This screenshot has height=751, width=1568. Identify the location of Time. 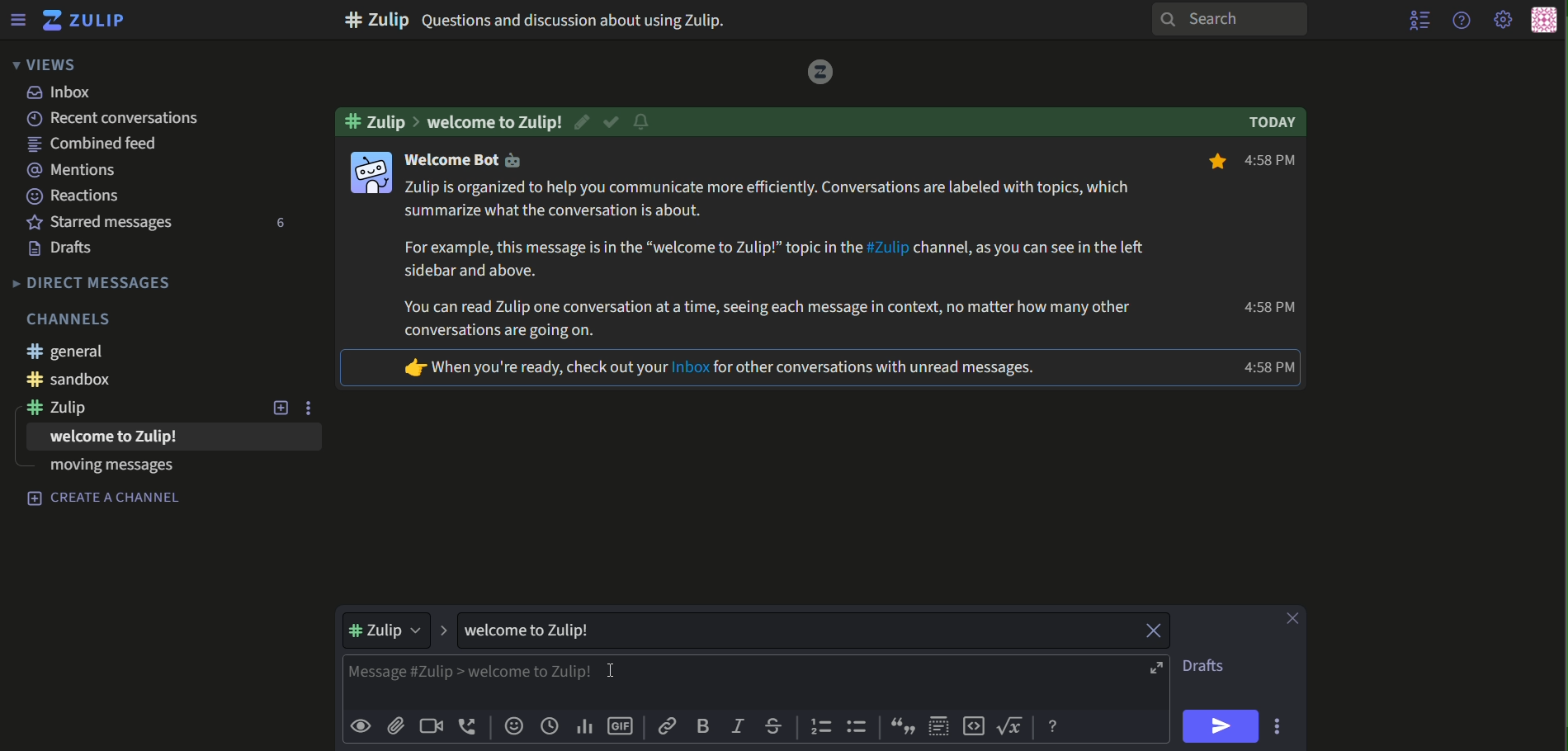
(1272, 367).